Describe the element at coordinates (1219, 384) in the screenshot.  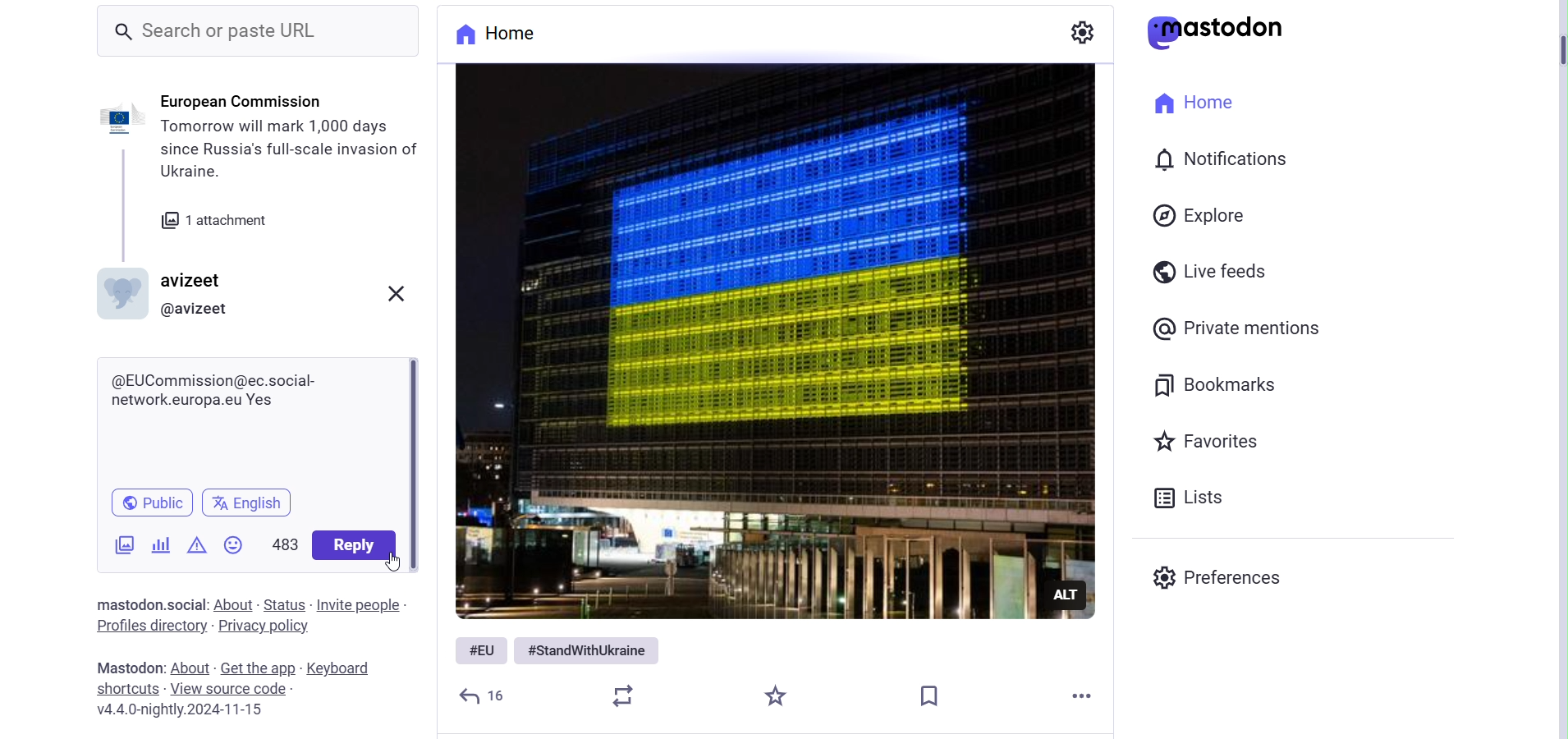
I see `Bookmarks` at that location.